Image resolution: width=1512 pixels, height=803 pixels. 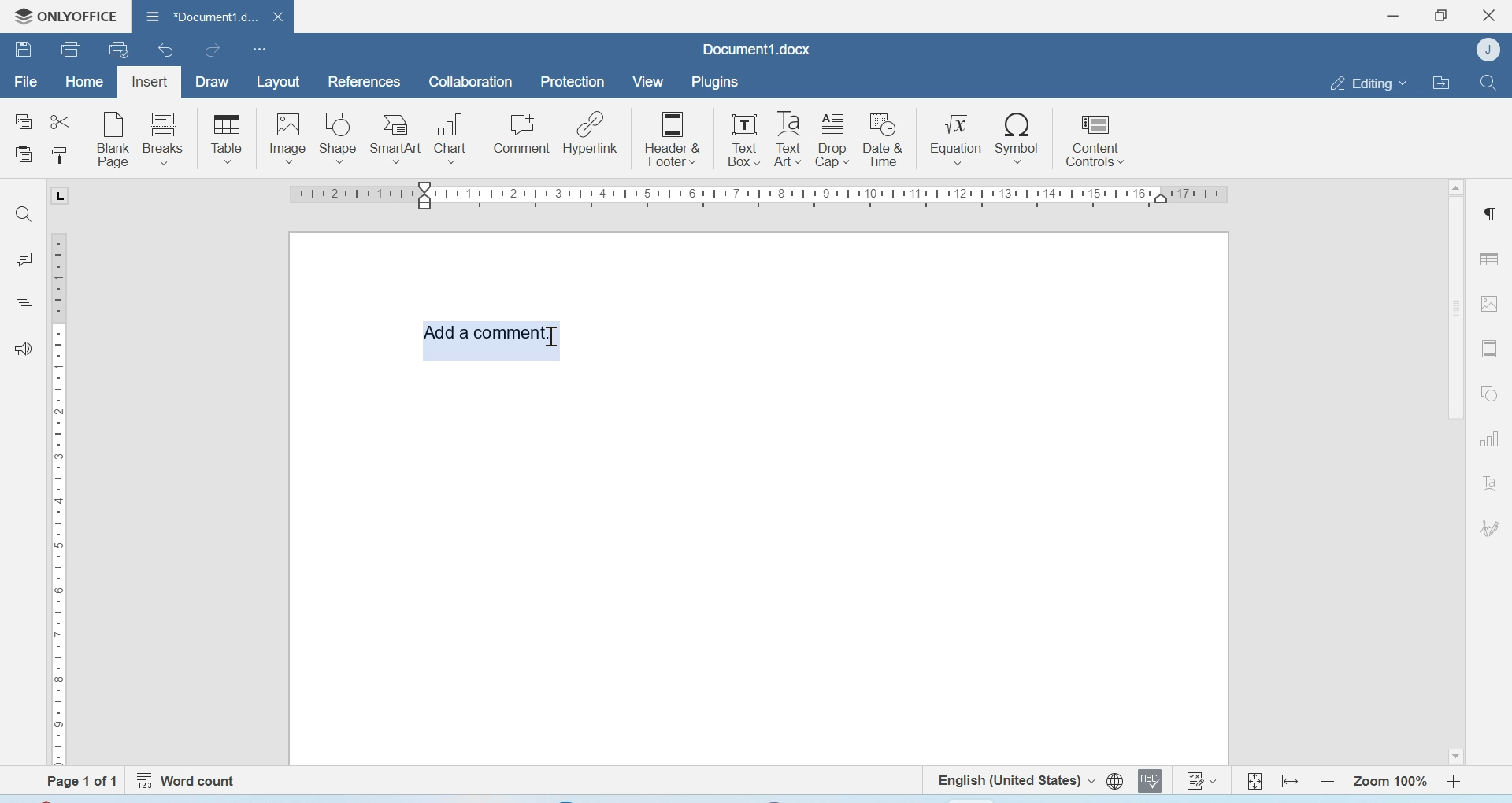 What do you see at coordinates (22, 213) in the screenshot?
I see `Find` at bounding box center [22, 213].